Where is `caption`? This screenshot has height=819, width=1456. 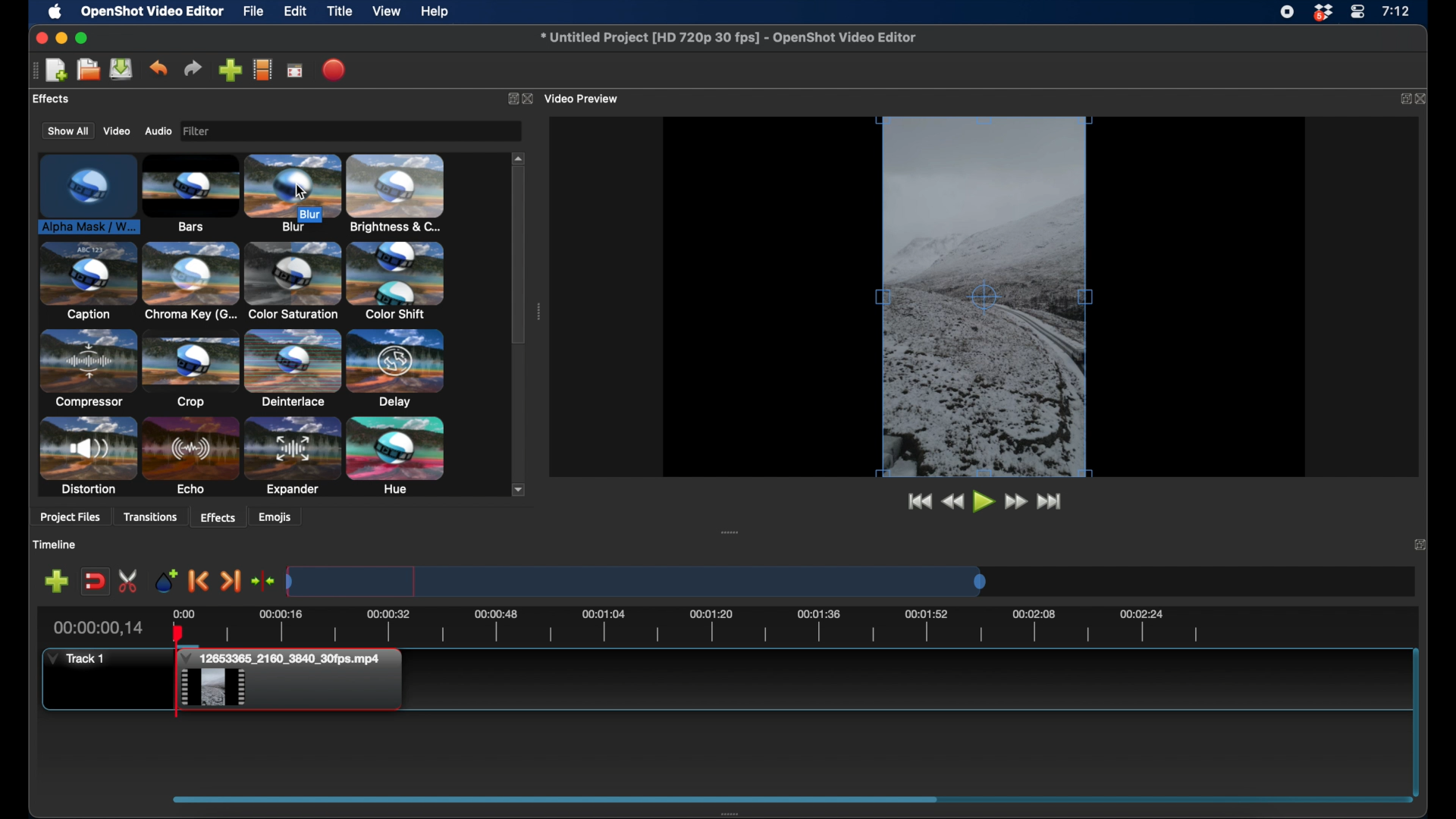 caption is located at coordinates (87, 281).